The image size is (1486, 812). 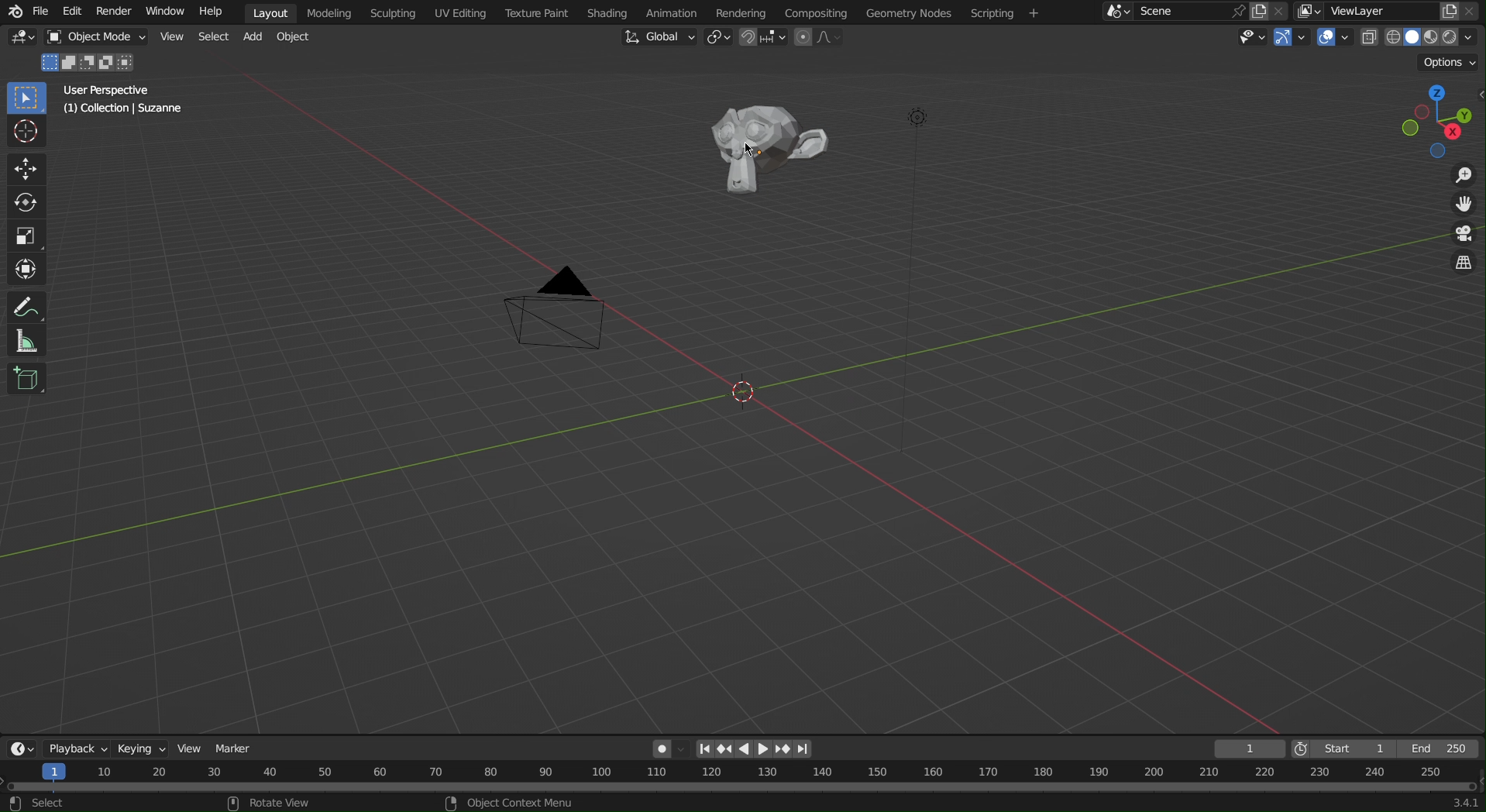 I want to click on User Perspective, so click(x=104, y=89).